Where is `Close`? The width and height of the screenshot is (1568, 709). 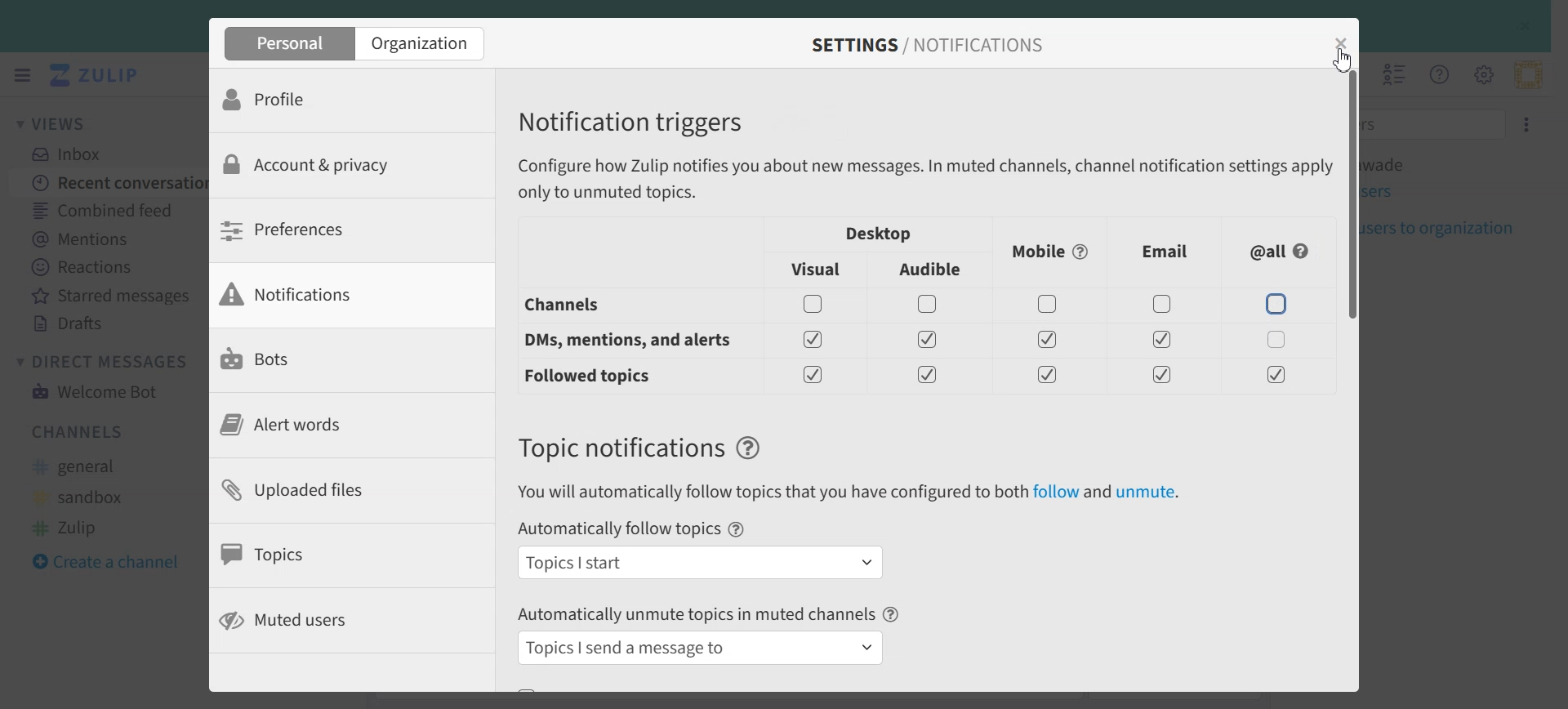 Close is located at coordinates (1342, 43).